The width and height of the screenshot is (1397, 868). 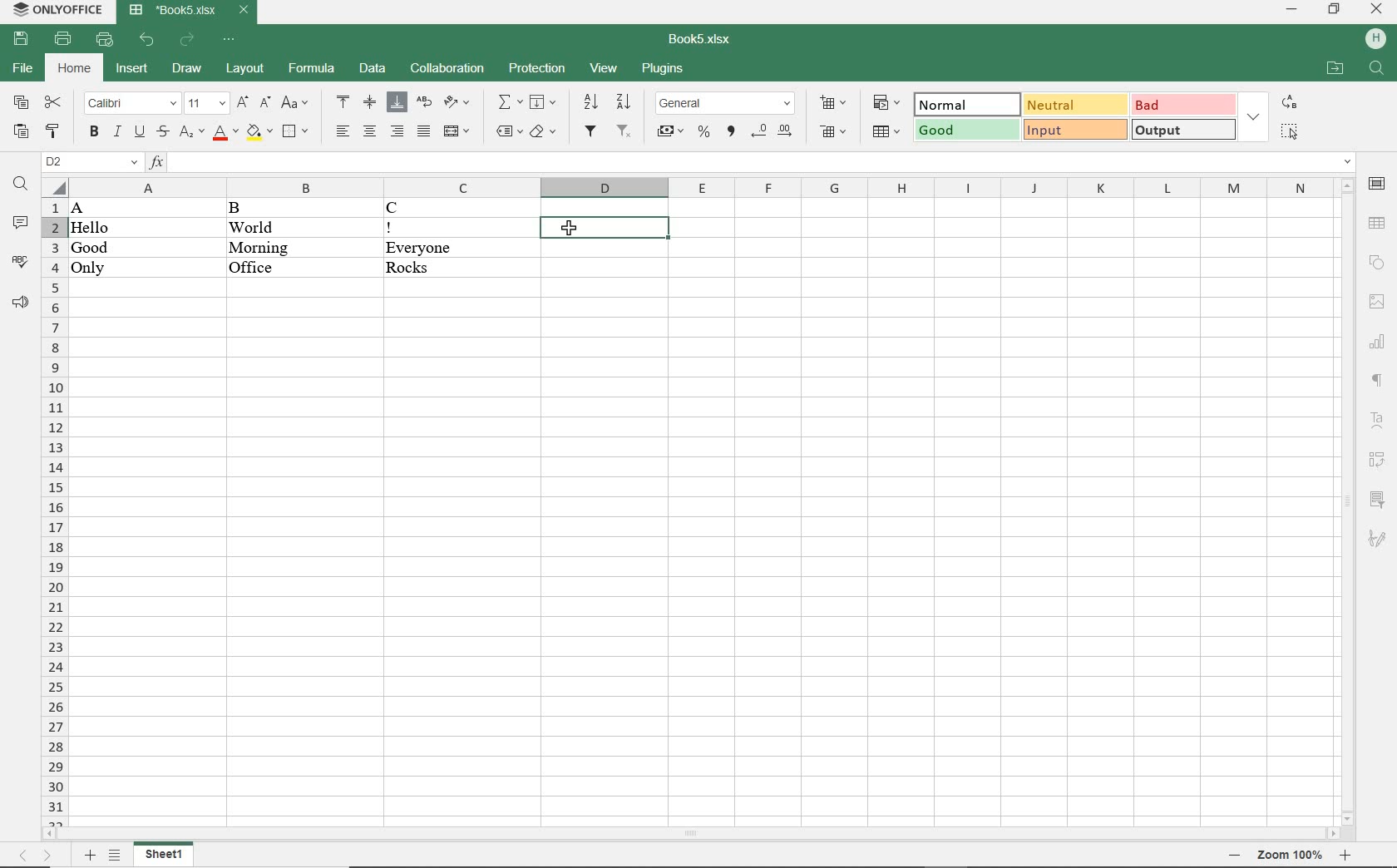 What do you see at coordinates (726, 102) in the screenshot?
I see `NUMBER FORMAT` at bounding box center [726, 102].